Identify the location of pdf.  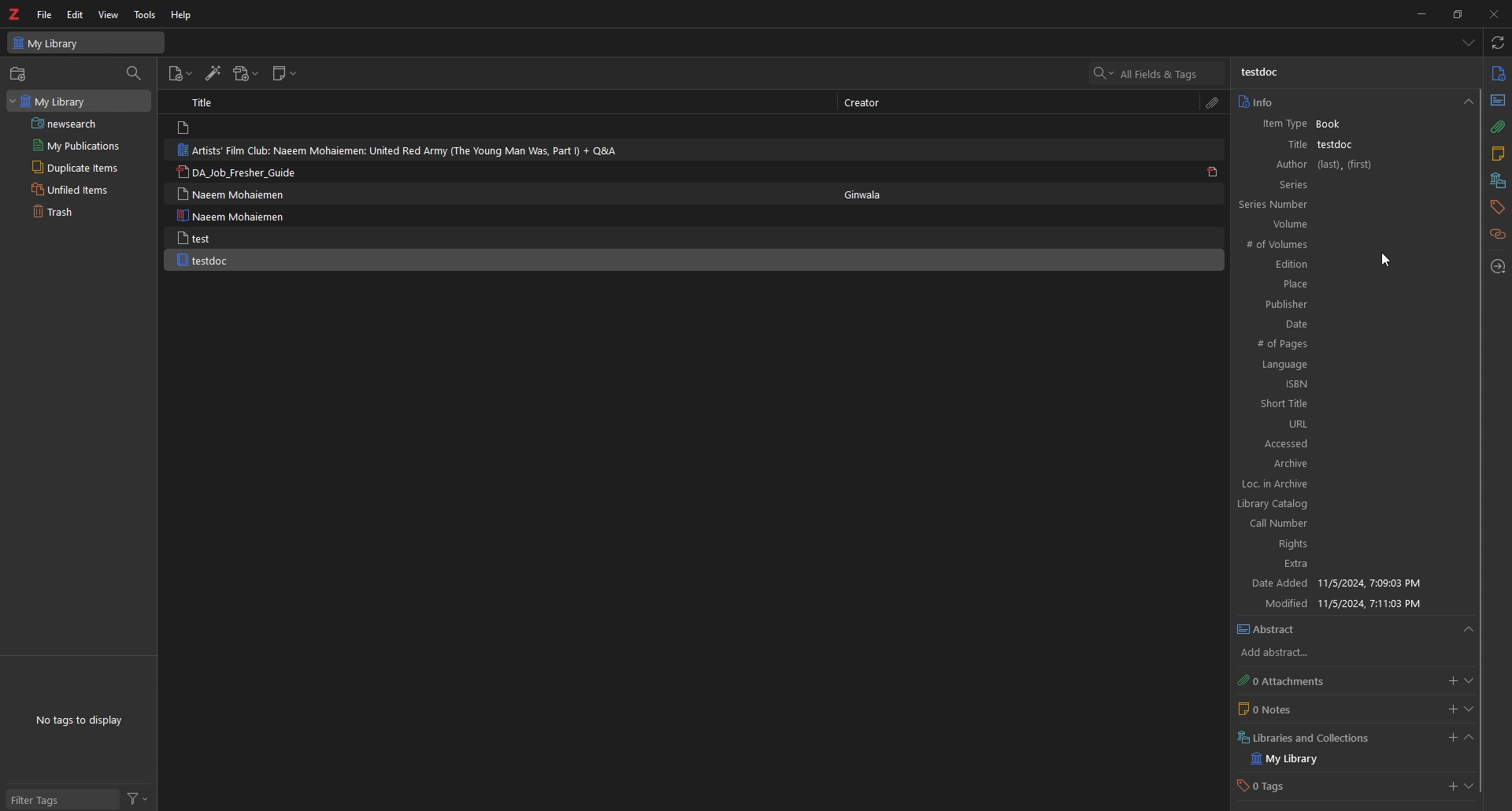
(1215, 172).